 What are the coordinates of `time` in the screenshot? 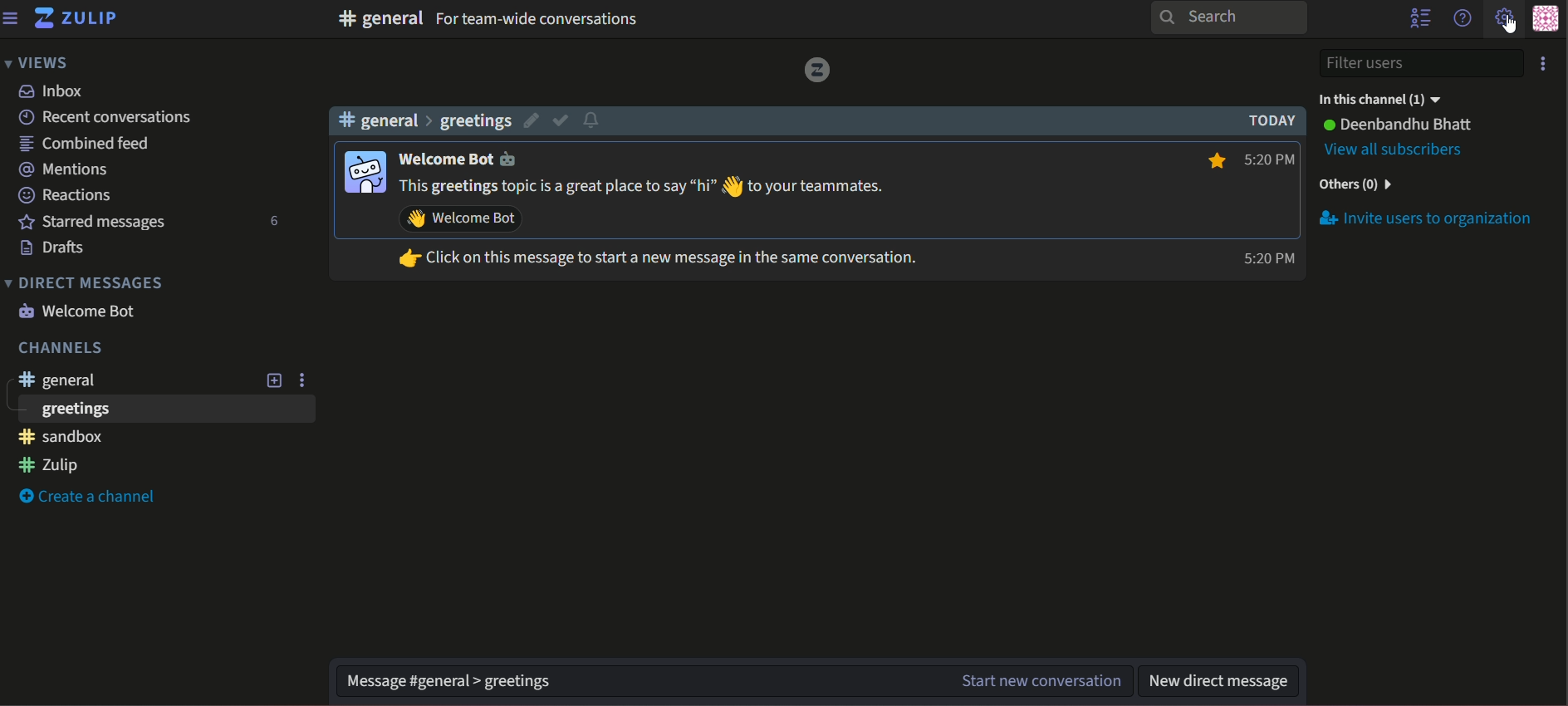 It's located at (1268, 207).